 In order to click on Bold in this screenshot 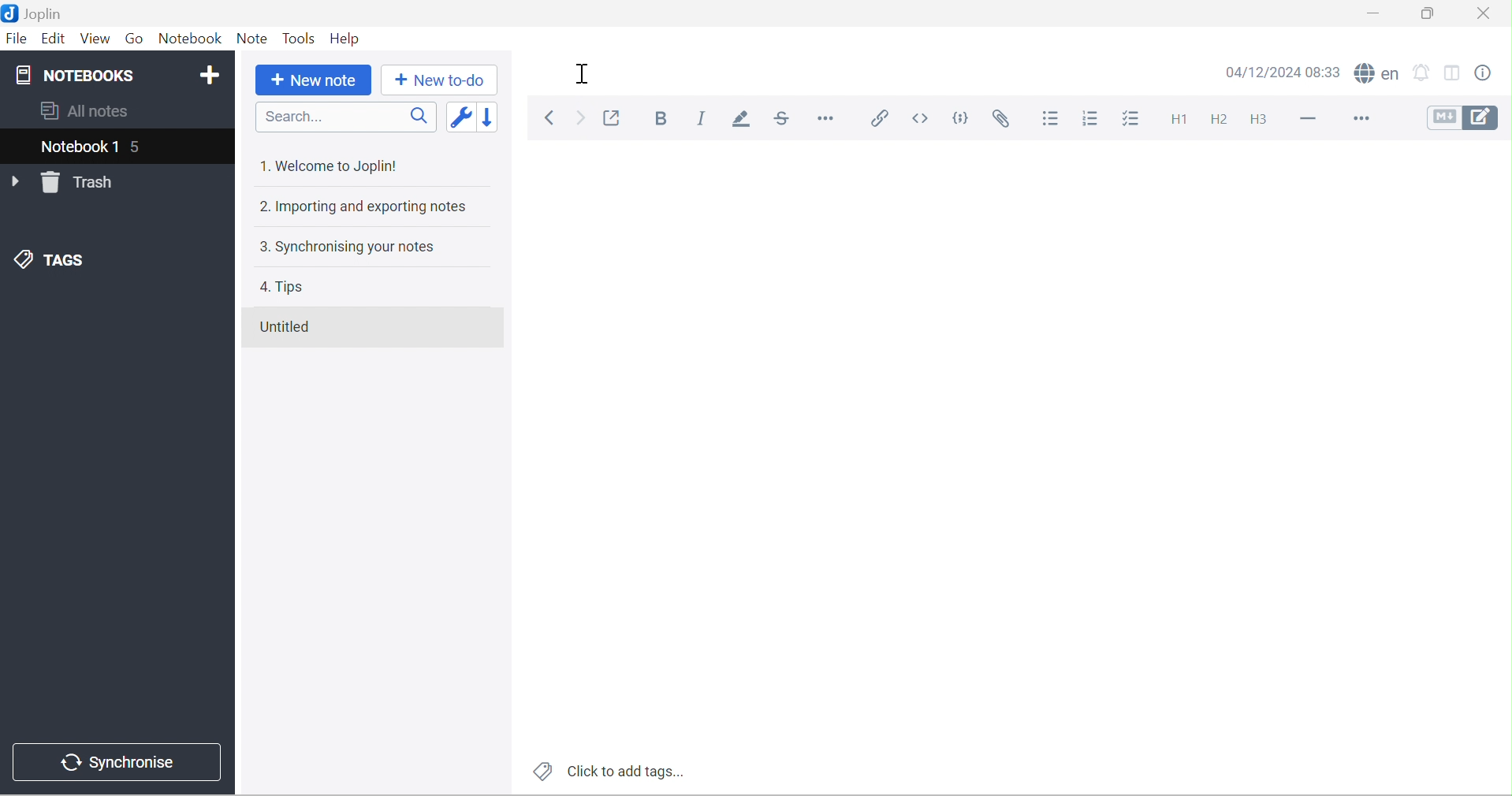, I will do `click(660, 118)`.